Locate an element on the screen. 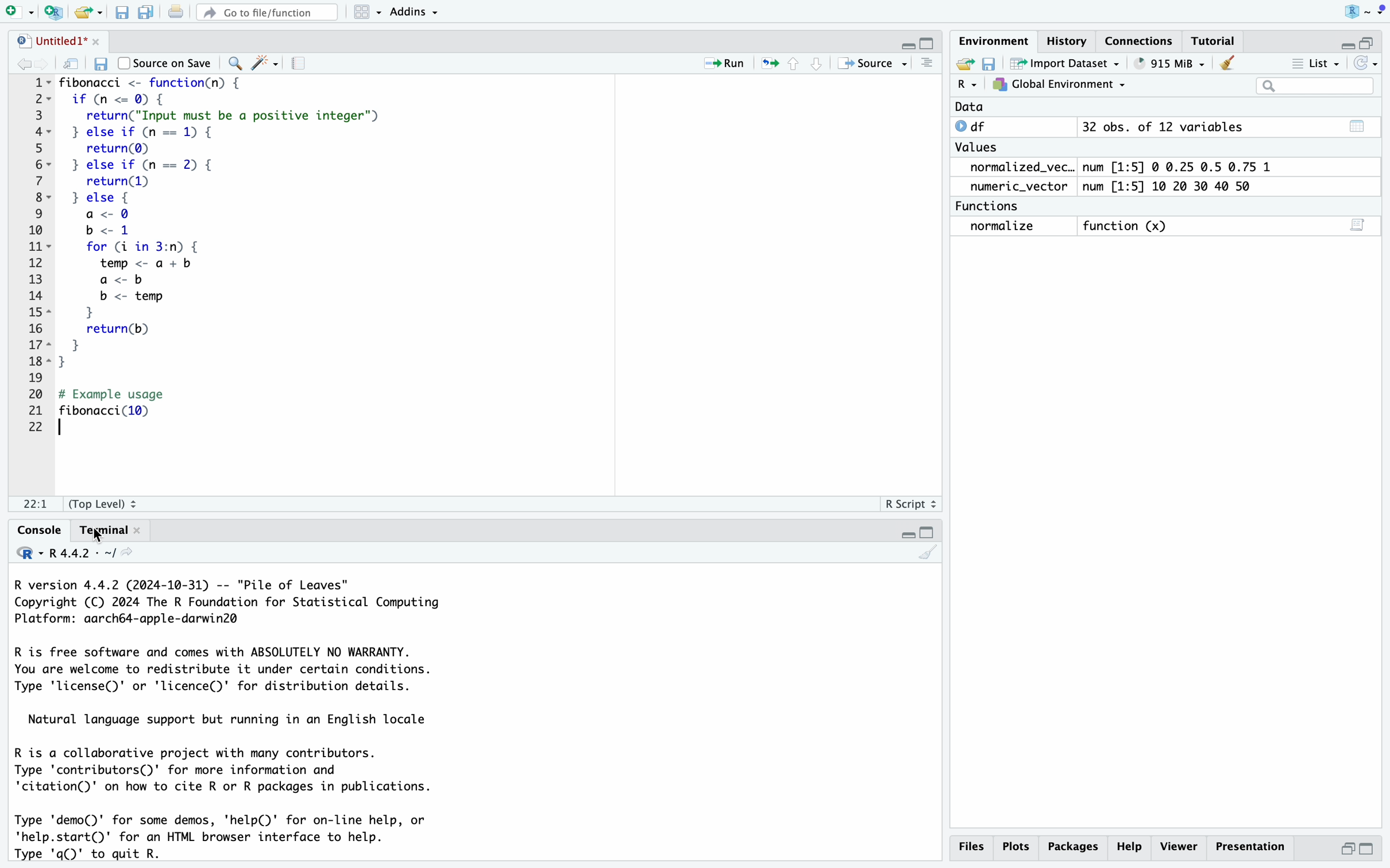 The width and height of the screenshot is (1390, 868). 32 obs. of 12 variables is located at coordinates (1164, 126).